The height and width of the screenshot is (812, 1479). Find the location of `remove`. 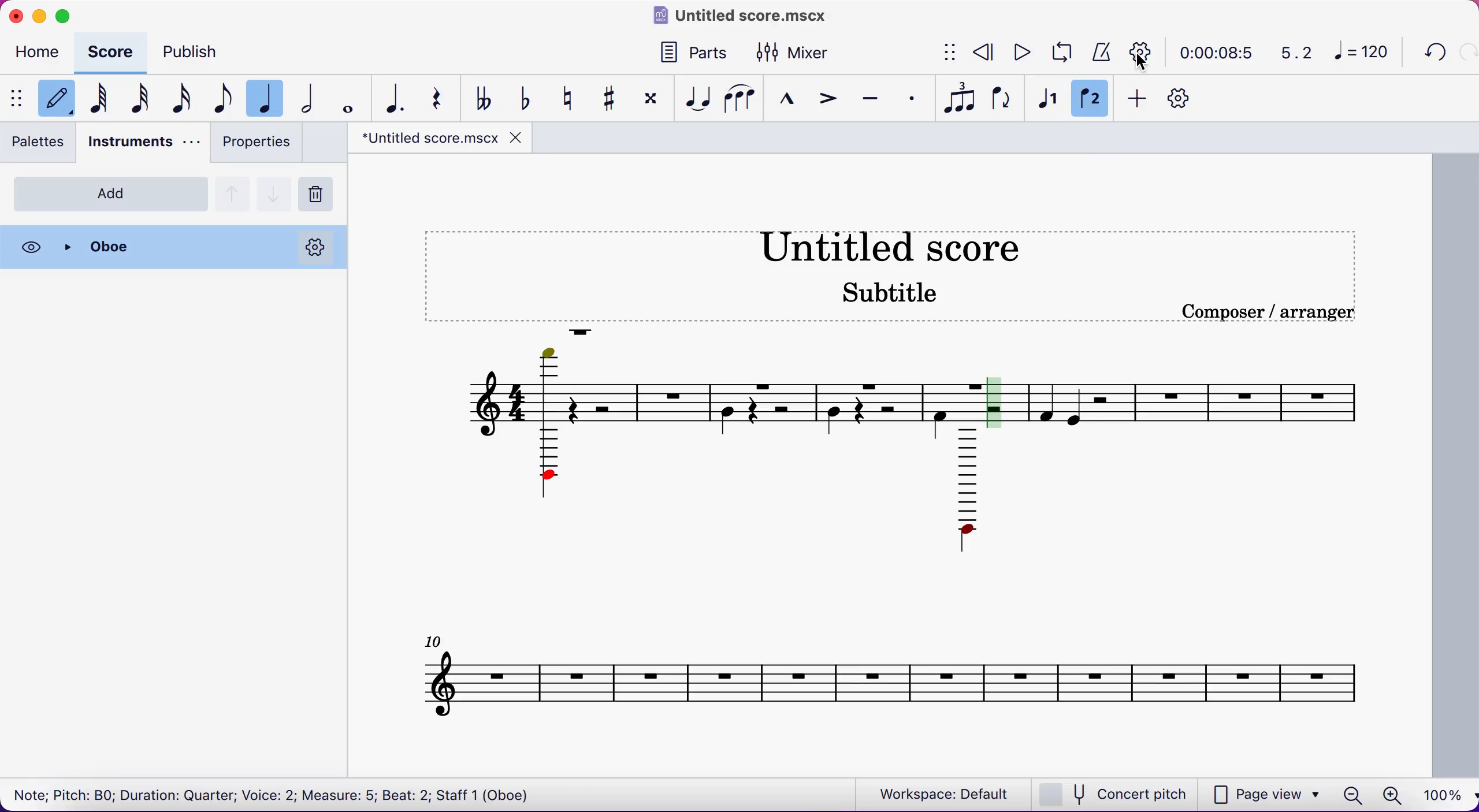

remove is located at coordinates (320, 195).